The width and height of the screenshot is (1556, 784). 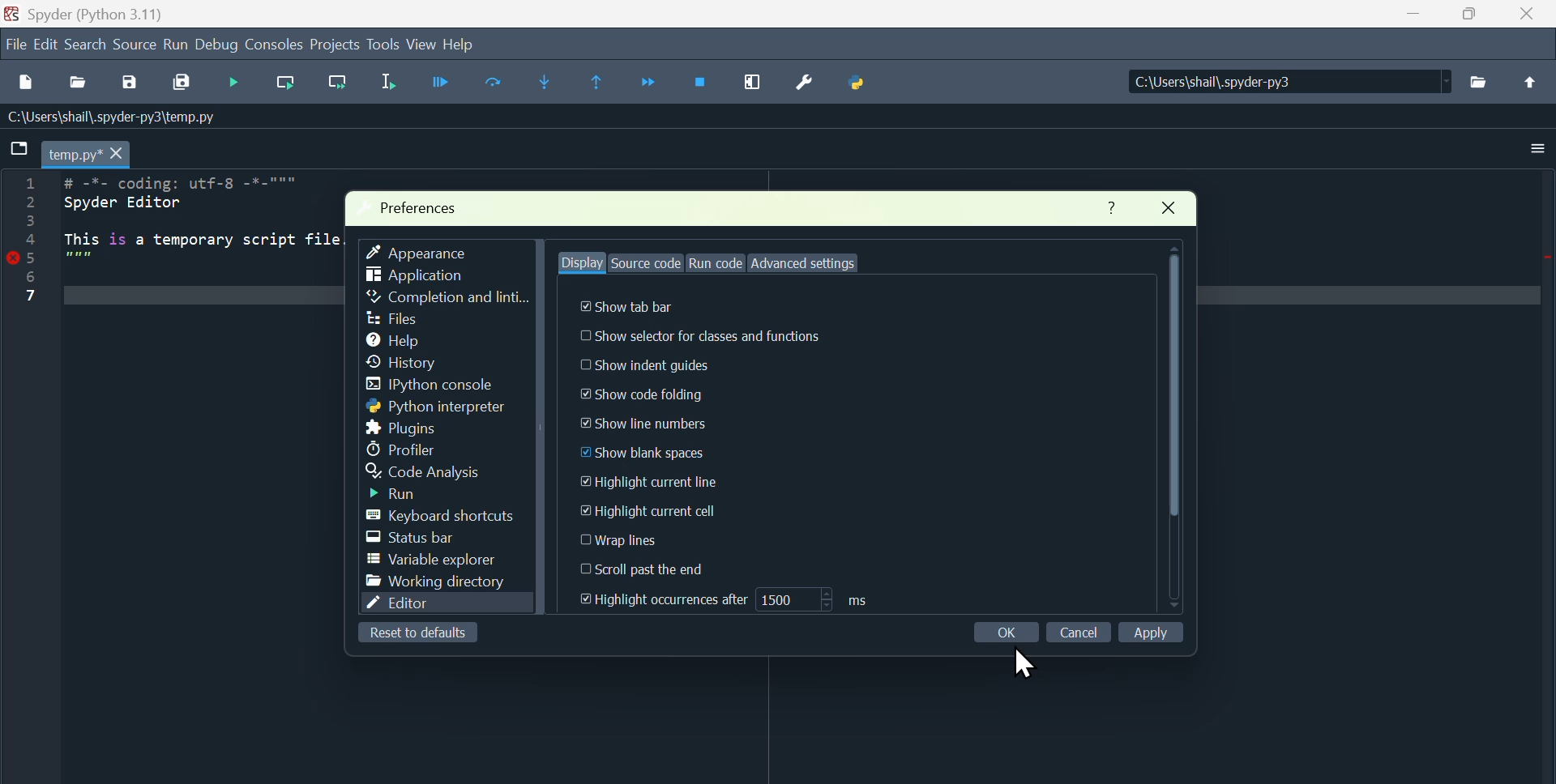 I want to click on Close, so click(x=1178, y=205).